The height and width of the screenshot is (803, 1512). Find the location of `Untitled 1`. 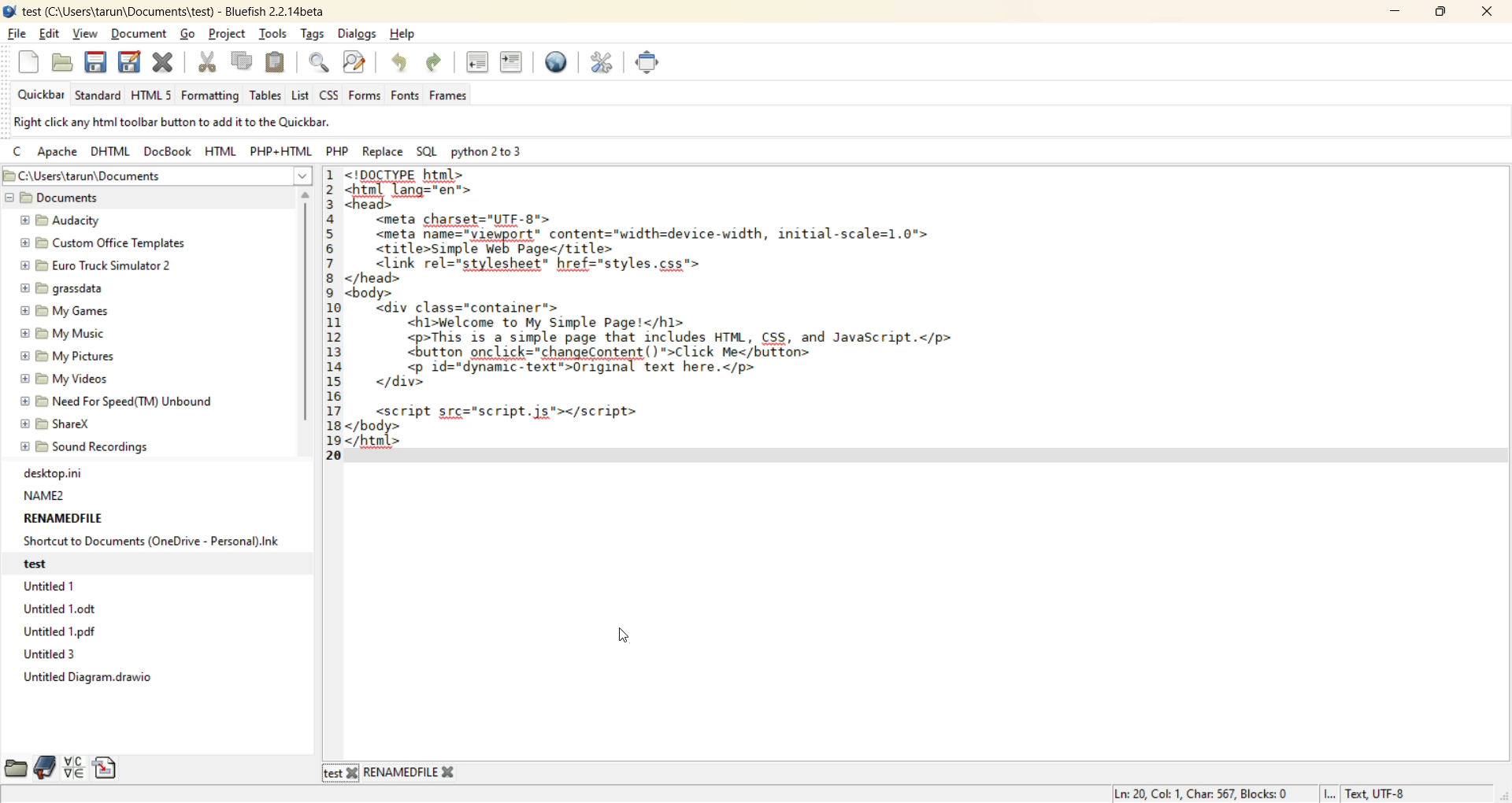

Untitled 1 is located at coordinates (54, 587).